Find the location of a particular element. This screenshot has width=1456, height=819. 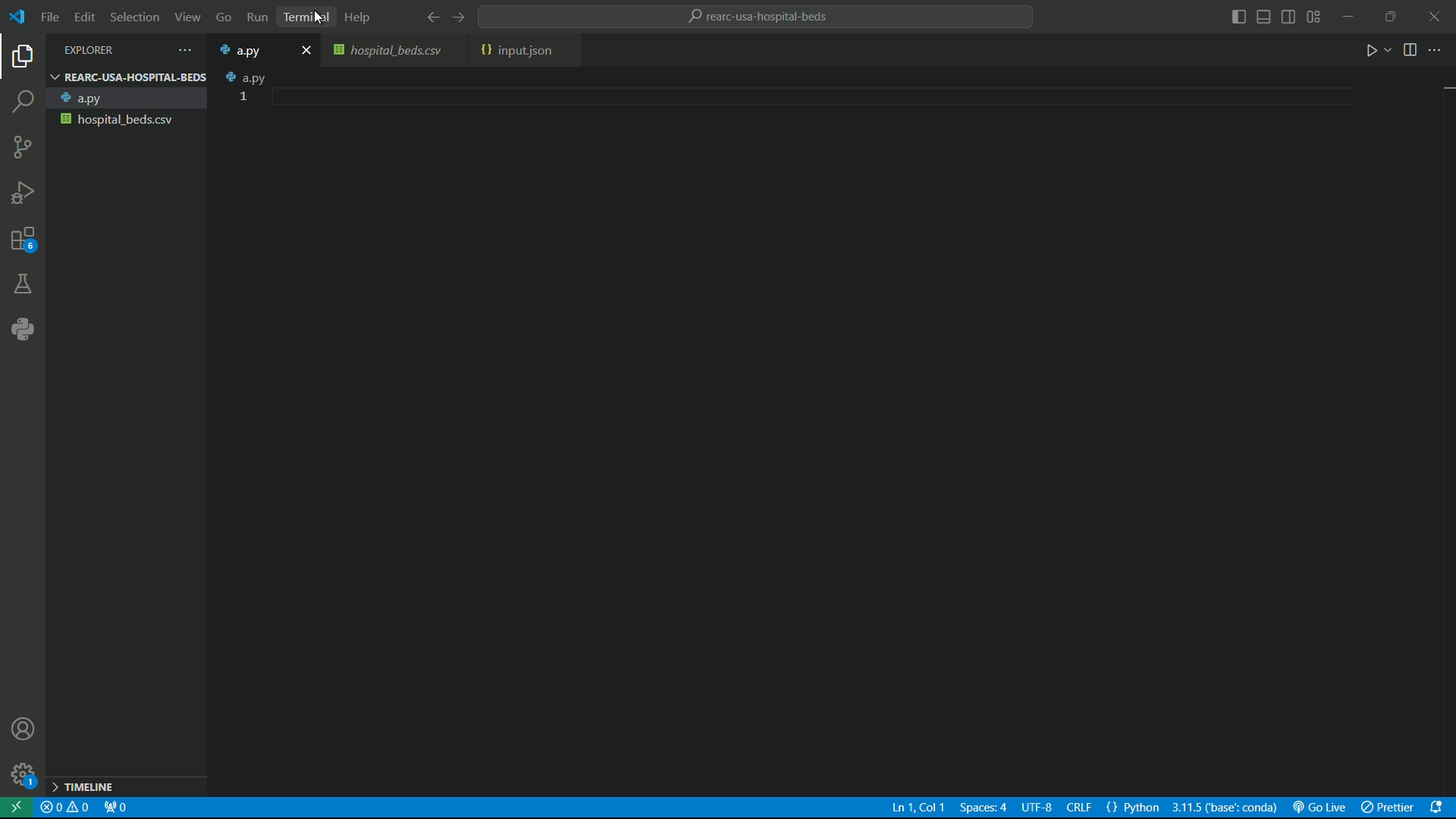

selection menu is located at coordinates (136, 17).